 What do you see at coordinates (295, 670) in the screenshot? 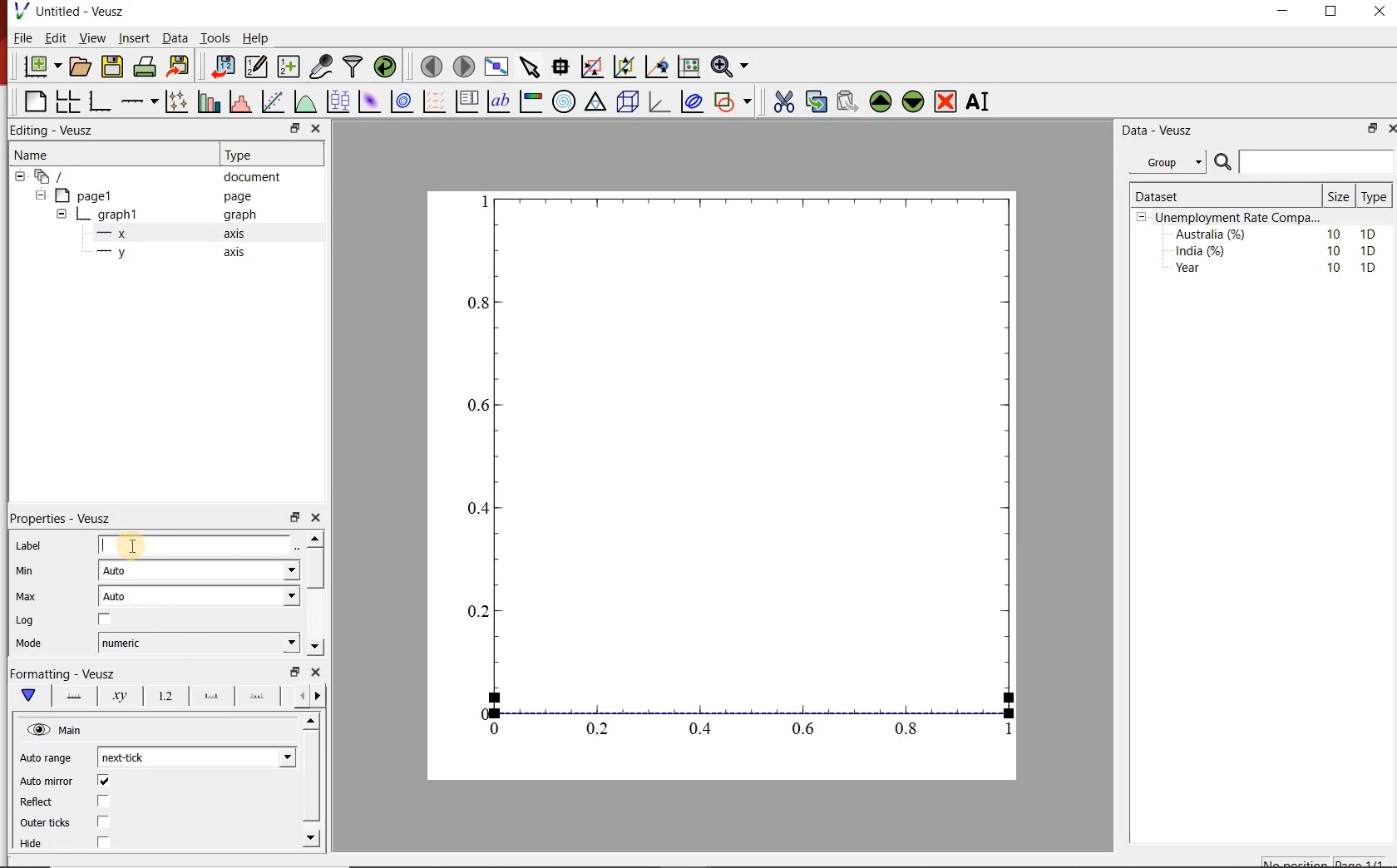
I see `minimise` at bounding box center [295, 670].